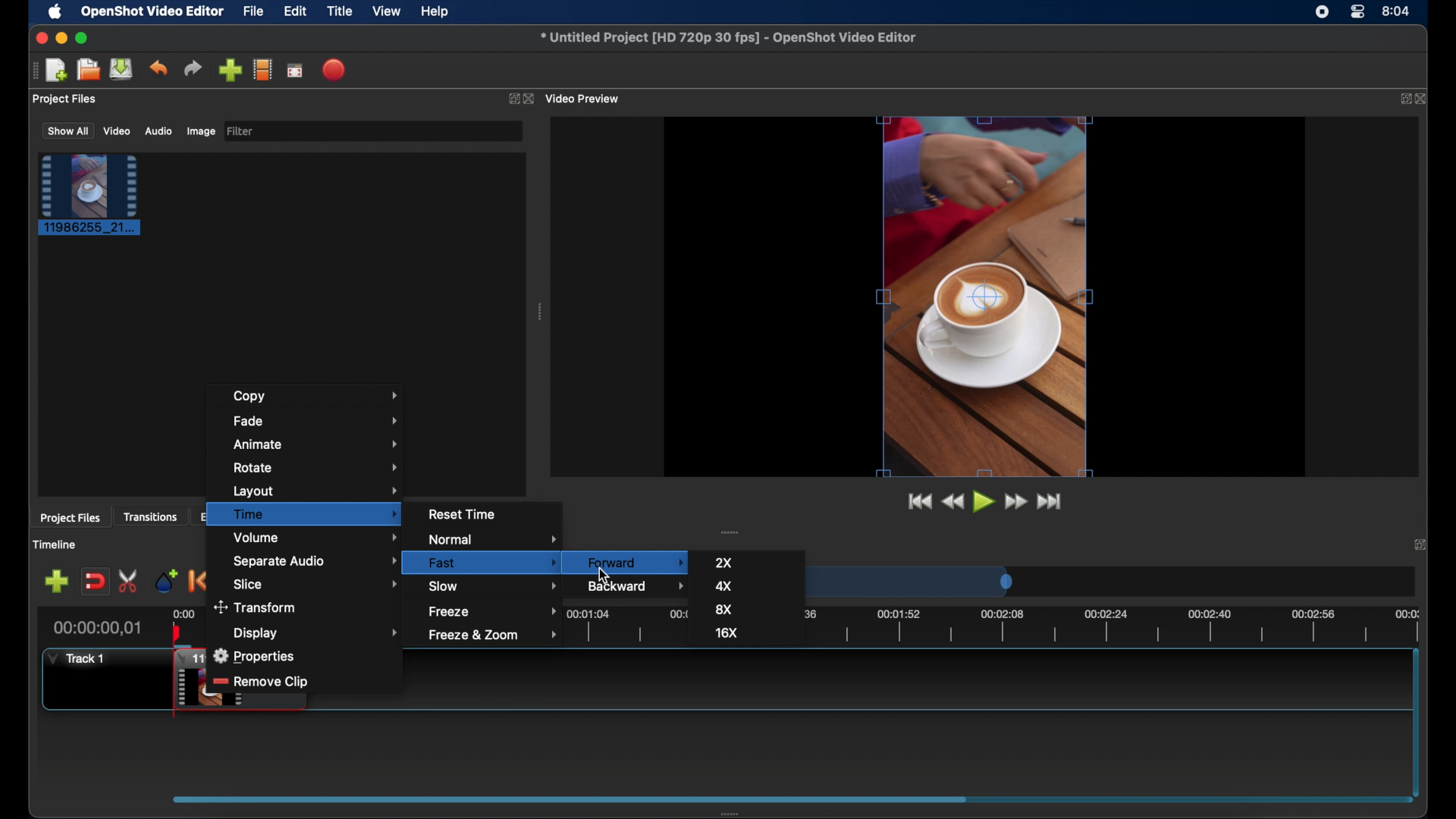  I want to click on normal menu, so click(496, 540).